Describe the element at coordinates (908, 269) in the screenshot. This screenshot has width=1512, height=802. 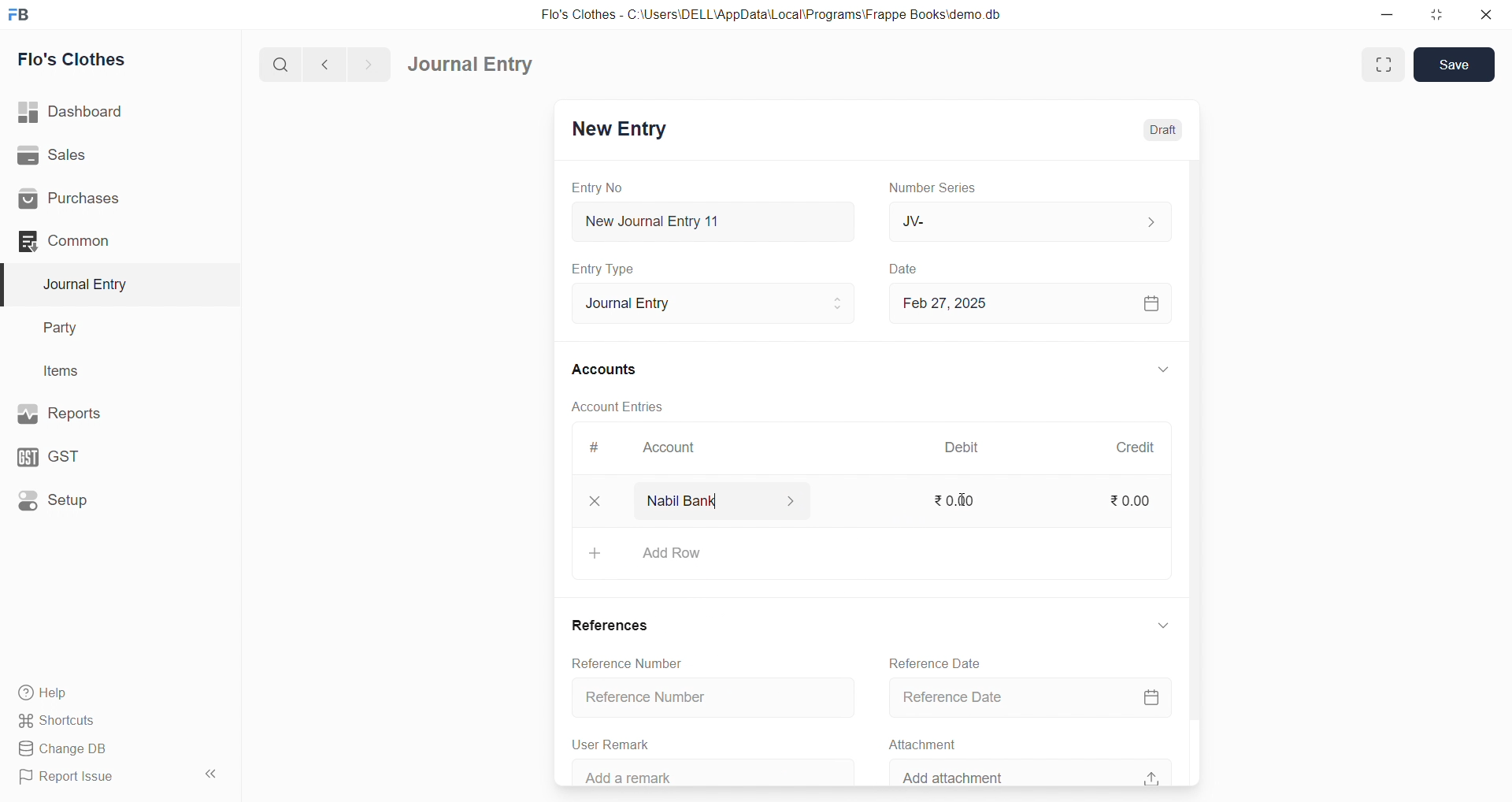
I see `Date` at that location.